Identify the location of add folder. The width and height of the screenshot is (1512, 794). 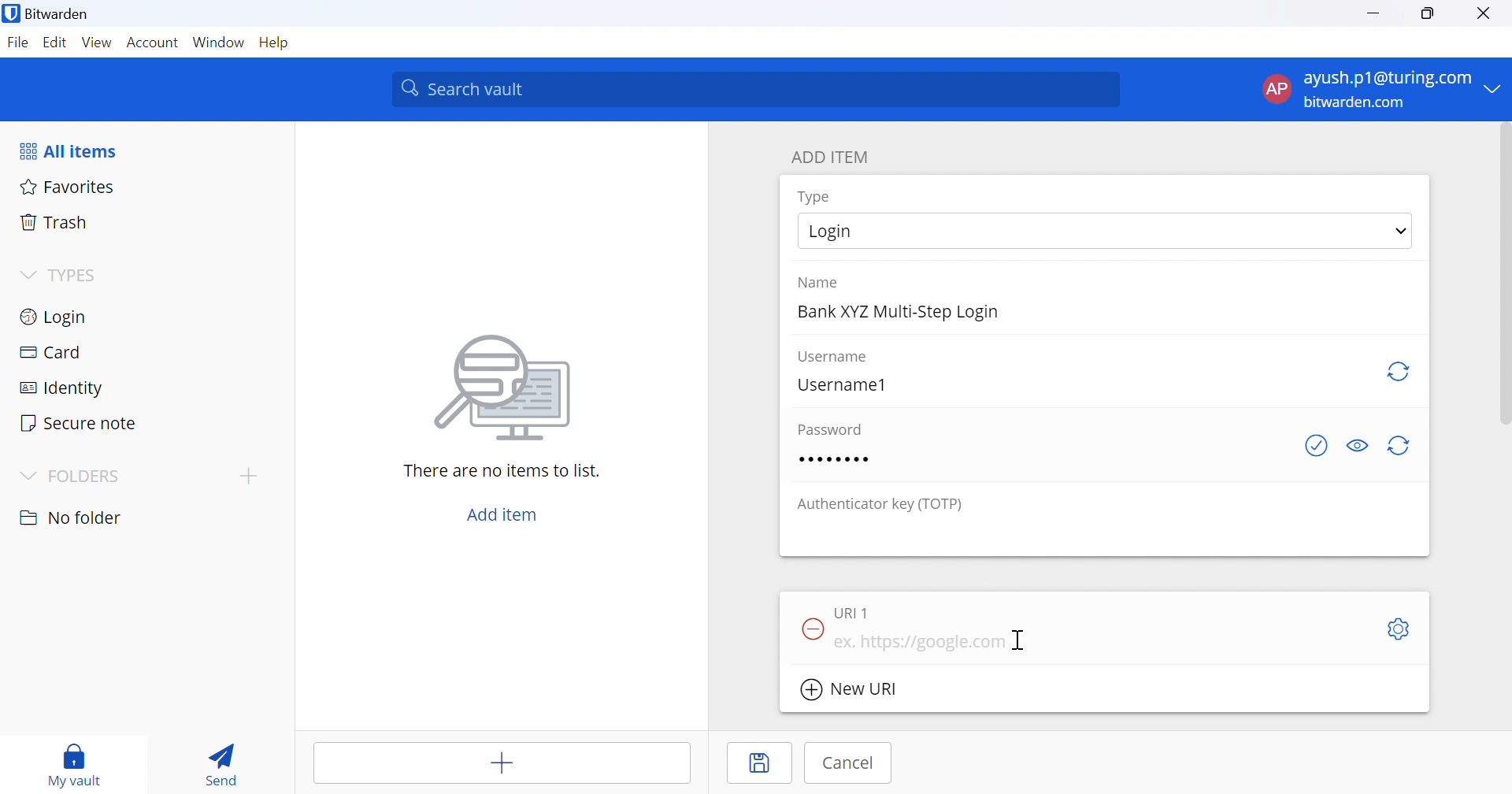
(252, 476).